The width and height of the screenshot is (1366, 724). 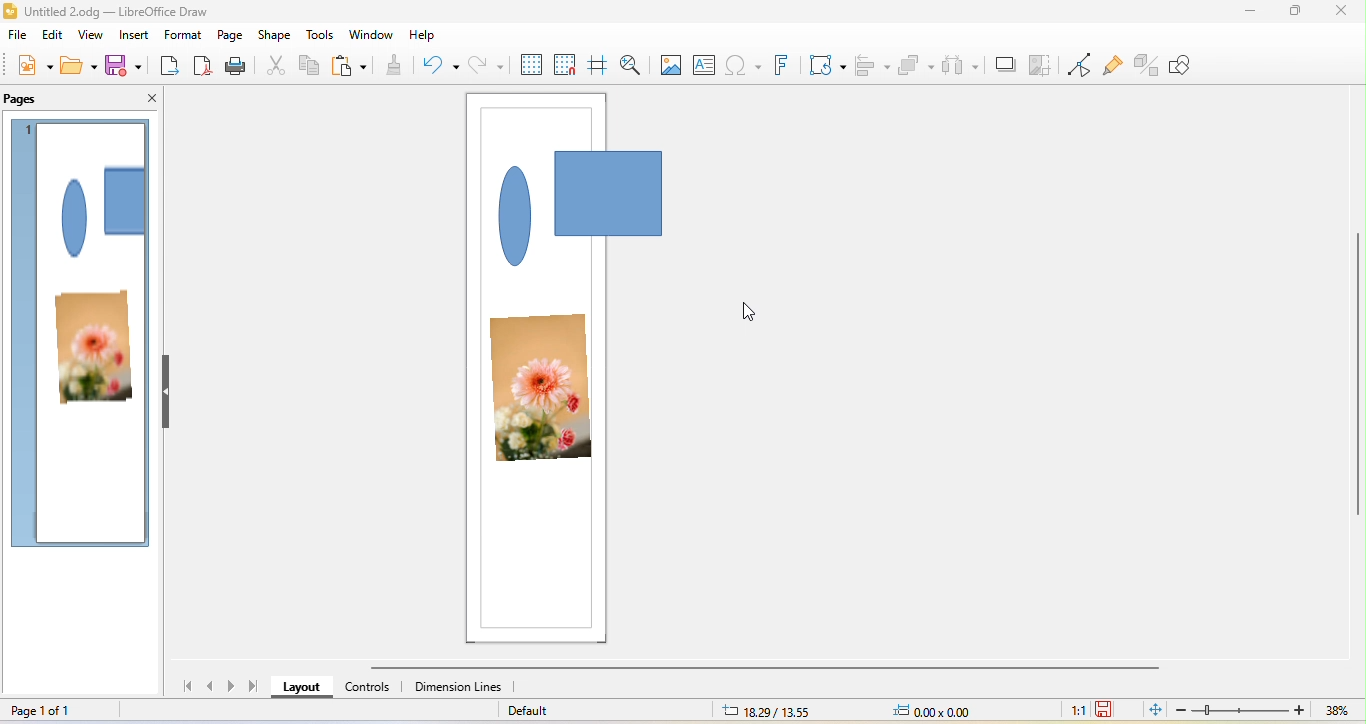 What do you see at coordinates (1342, 14) in the screenshot?
I see `close` at bounding box center [1342, 14].